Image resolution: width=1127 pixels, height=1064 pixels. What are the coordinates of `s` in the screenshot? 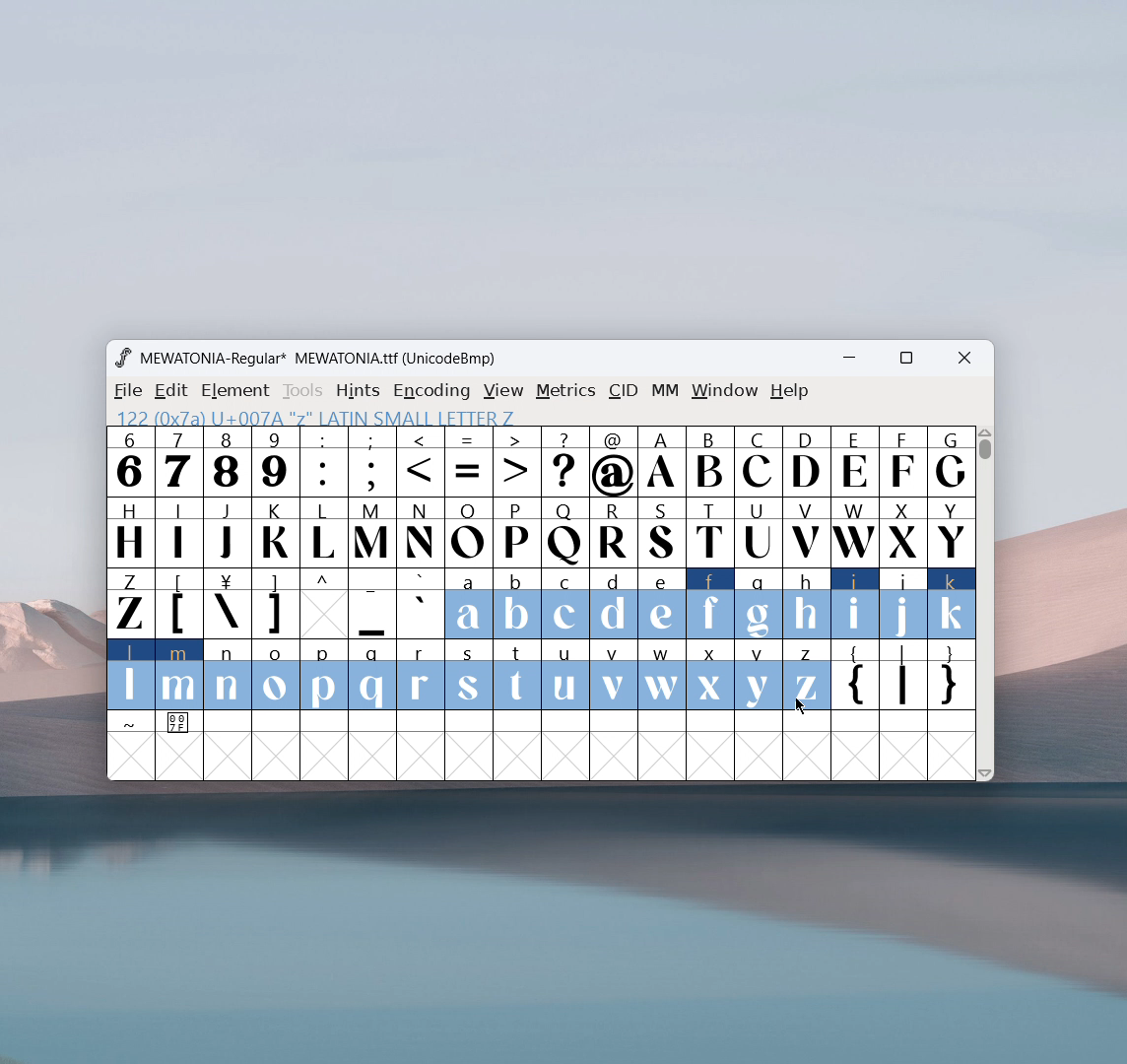 It's located at (469, 676).